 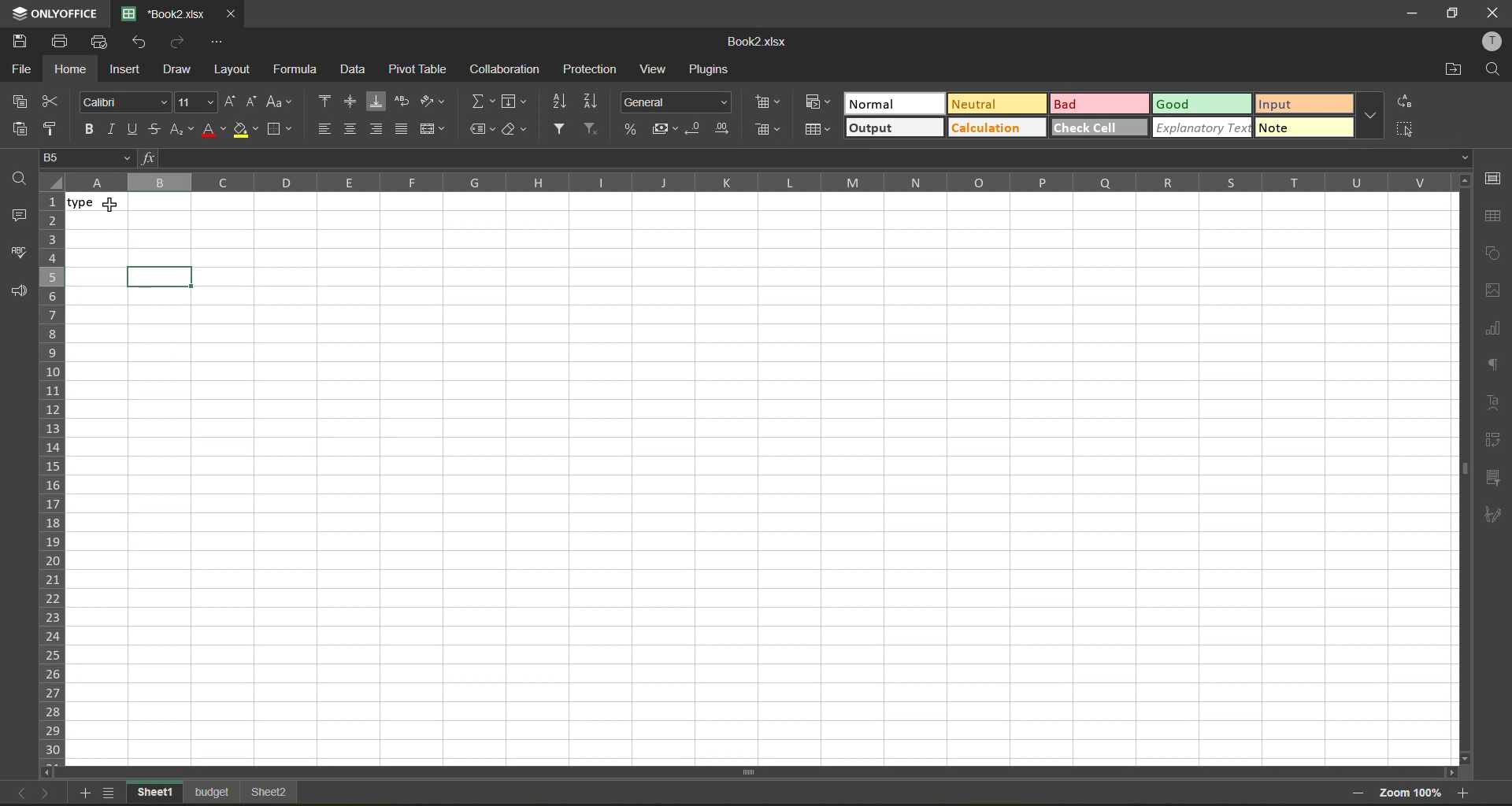 I want to click on sheet list, so click(x=112, y=794).